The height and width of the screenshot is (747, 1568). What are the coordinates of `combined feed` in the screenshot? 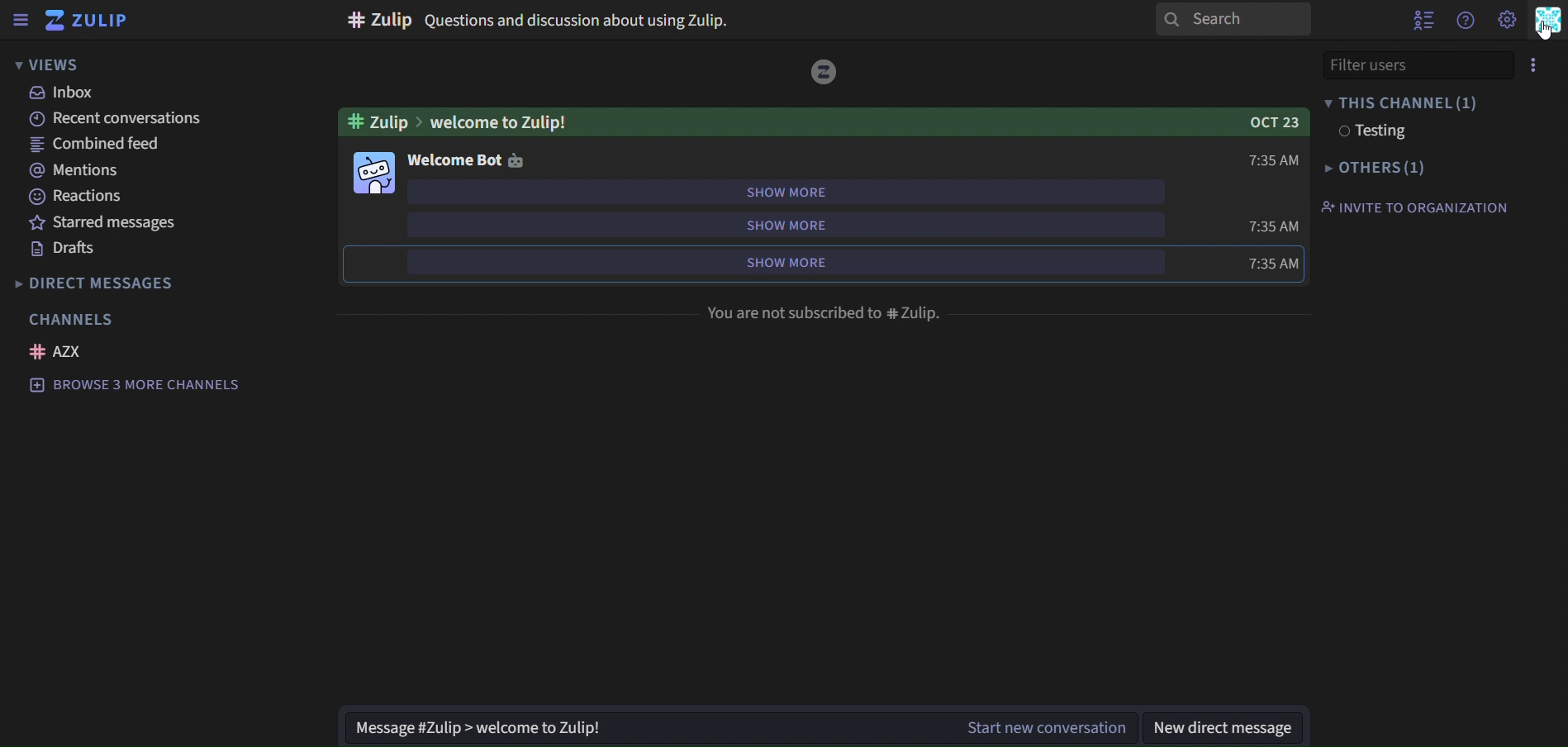 It's located at (107, 145).